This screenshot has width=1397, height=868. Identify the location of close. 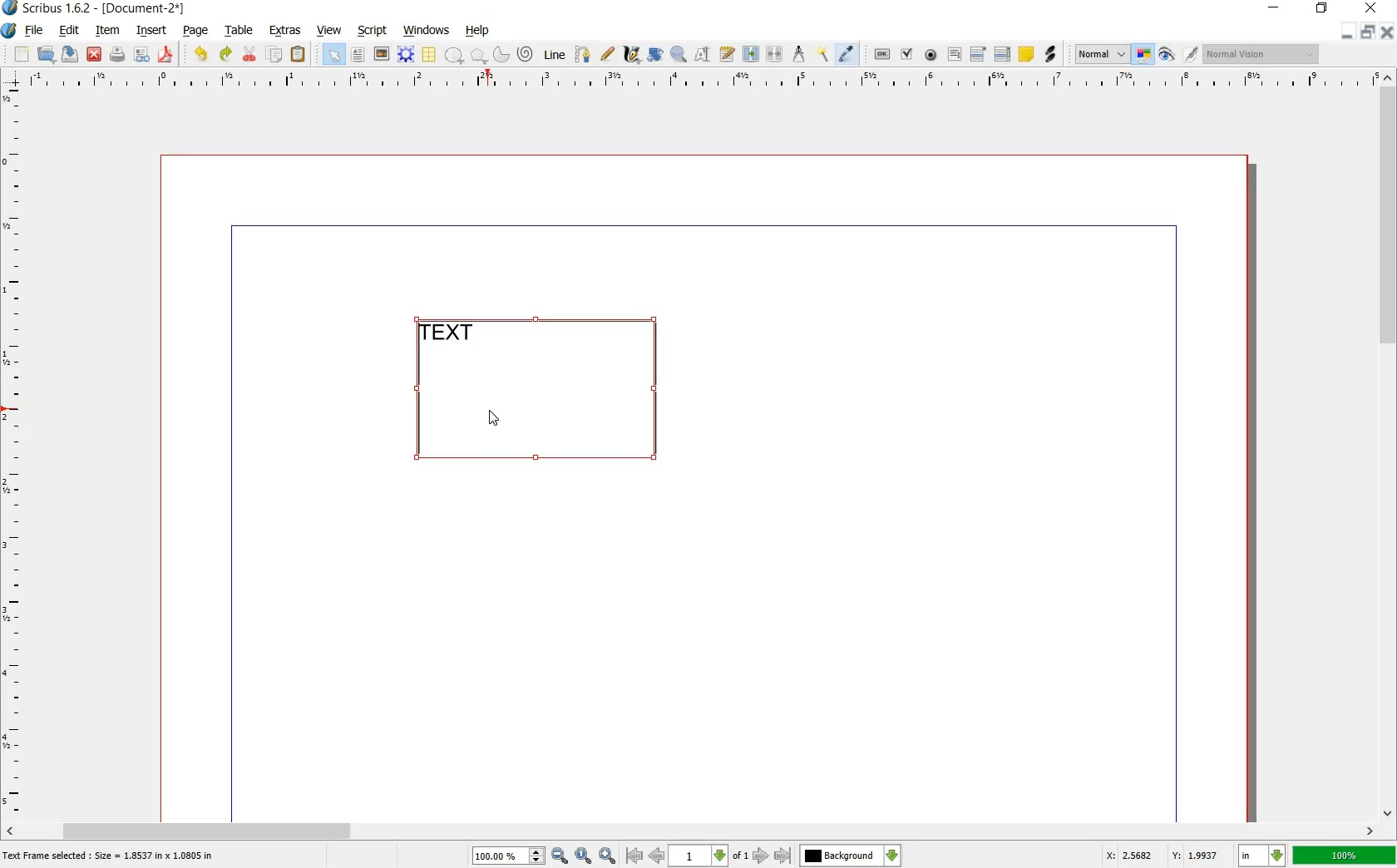
(1374, 7).